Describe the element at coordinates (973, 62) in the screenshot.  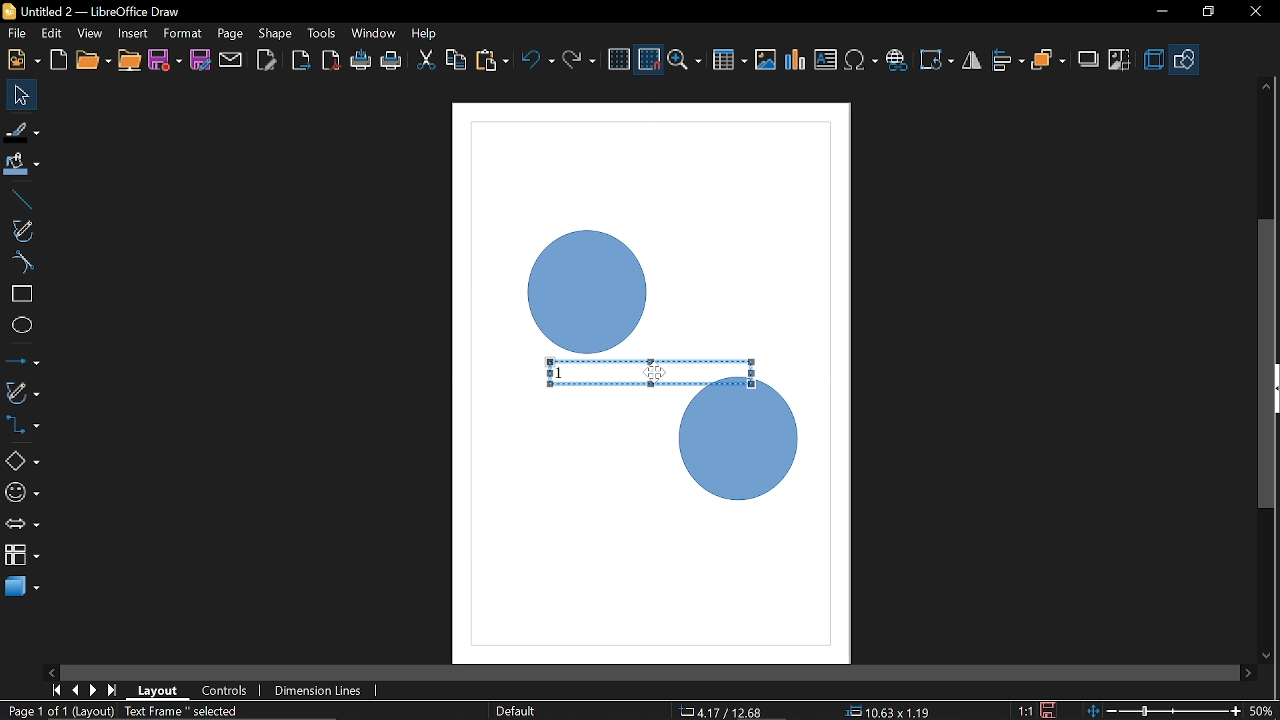
I see `flip` at that location.